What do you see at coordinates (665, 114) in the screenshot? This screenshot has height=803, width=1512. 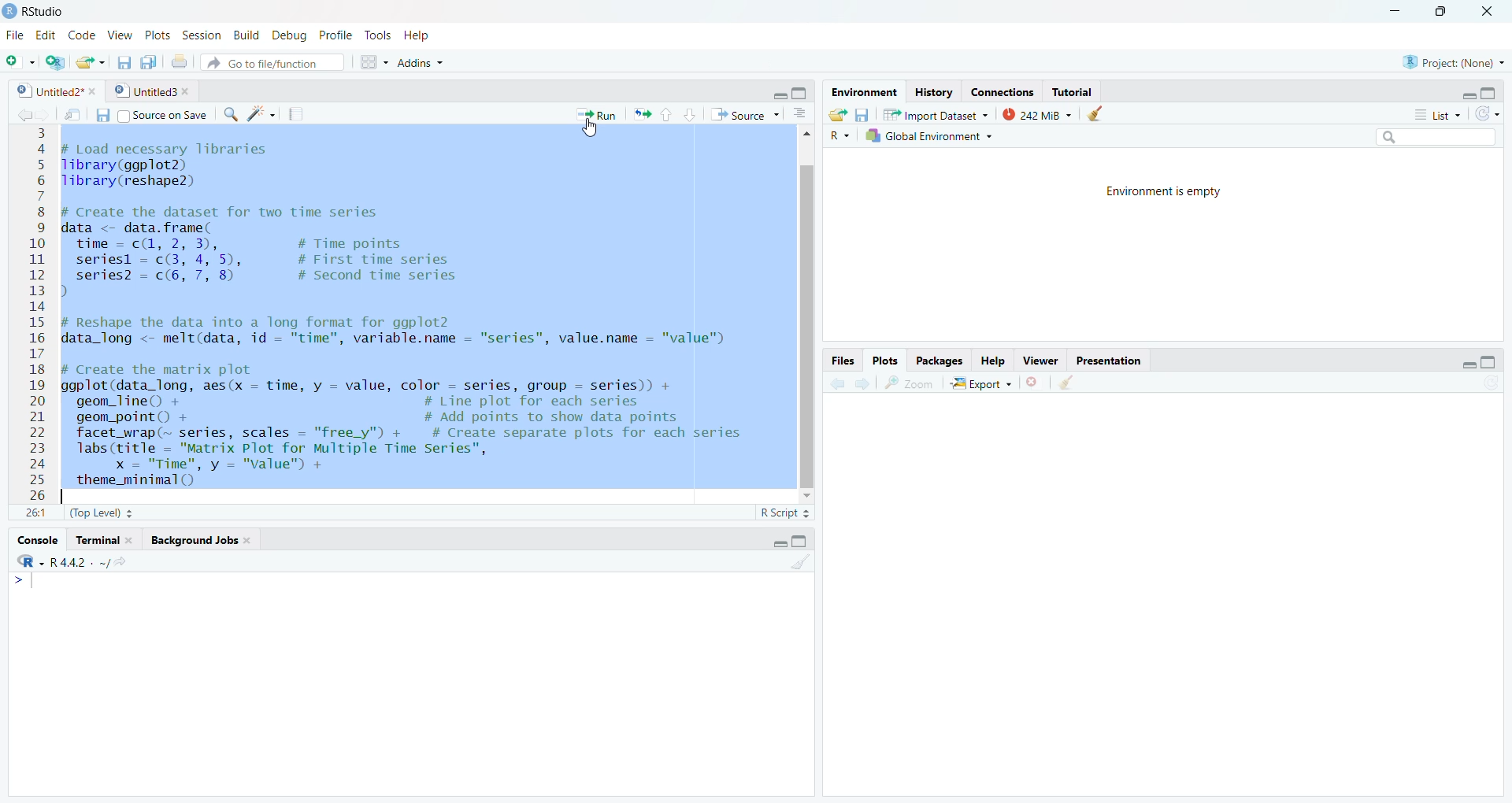 I see `up` at bounding box center [665, 114].